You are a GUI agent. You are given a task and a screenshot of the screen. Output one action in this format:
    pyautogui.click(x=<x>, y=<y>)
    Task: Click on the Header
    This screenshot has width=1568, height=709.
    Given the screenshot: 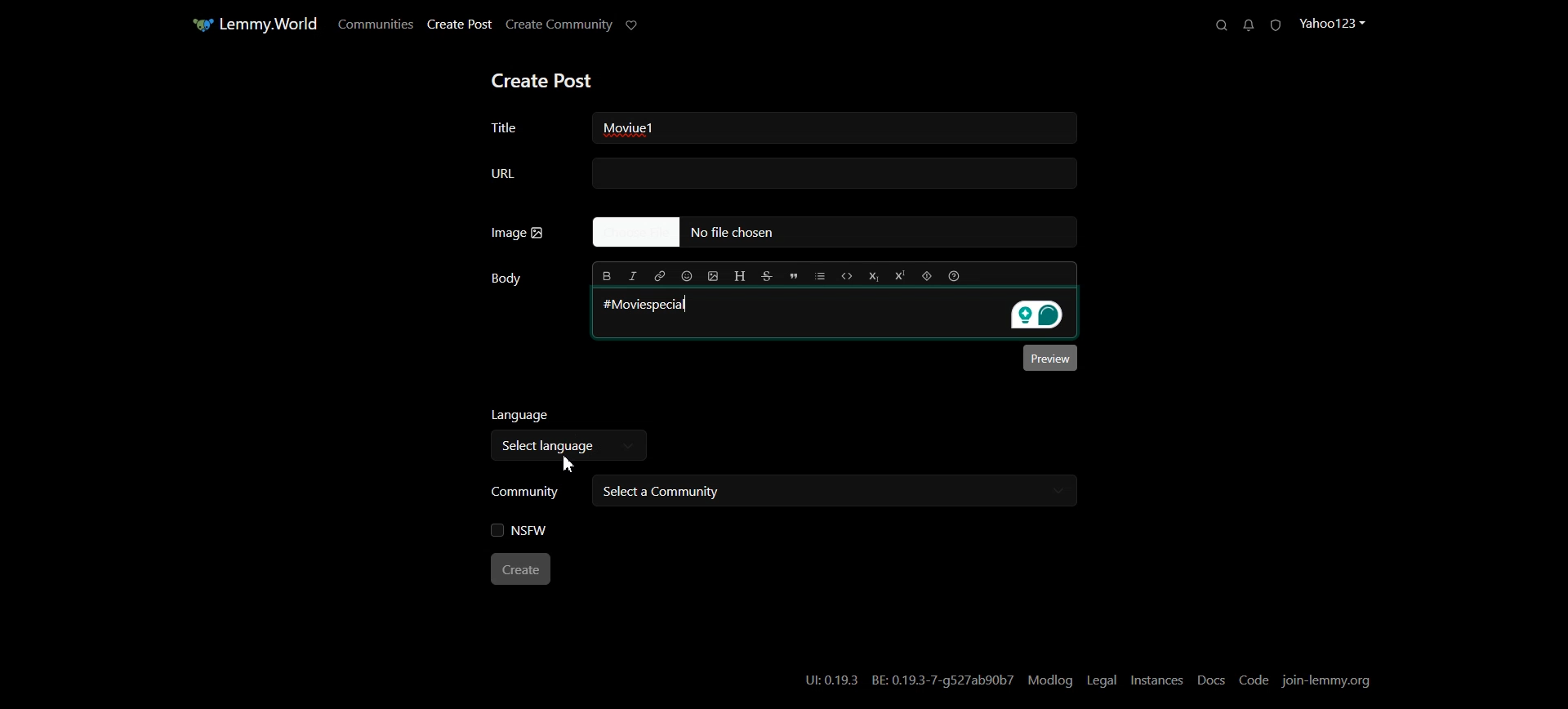 What is the action you would take?
    pyautogui.click(x=740, y=276)
    